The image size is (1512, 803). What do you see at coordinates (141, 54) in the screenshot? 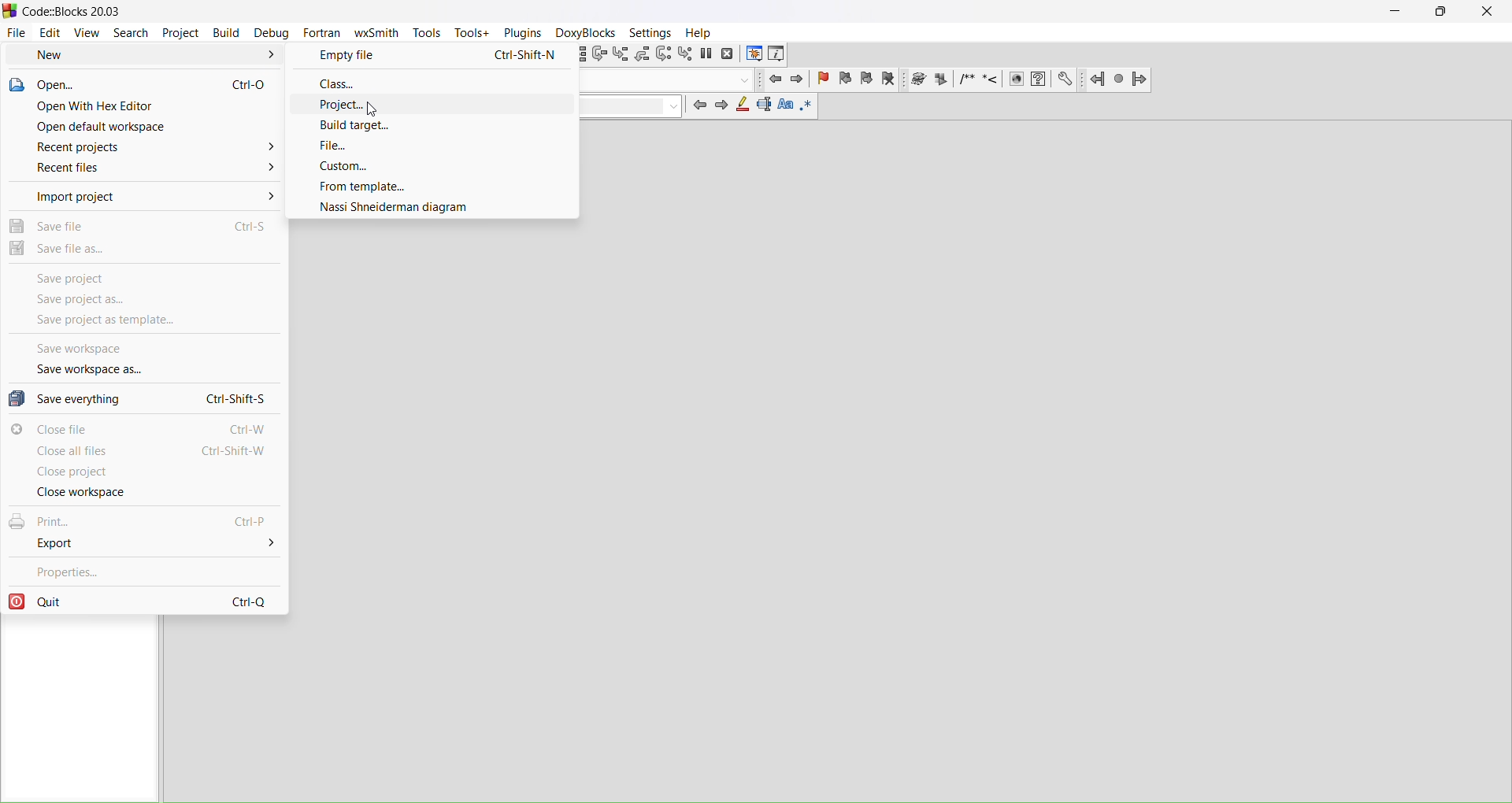
I see `new` at bounding box center [141, 54].